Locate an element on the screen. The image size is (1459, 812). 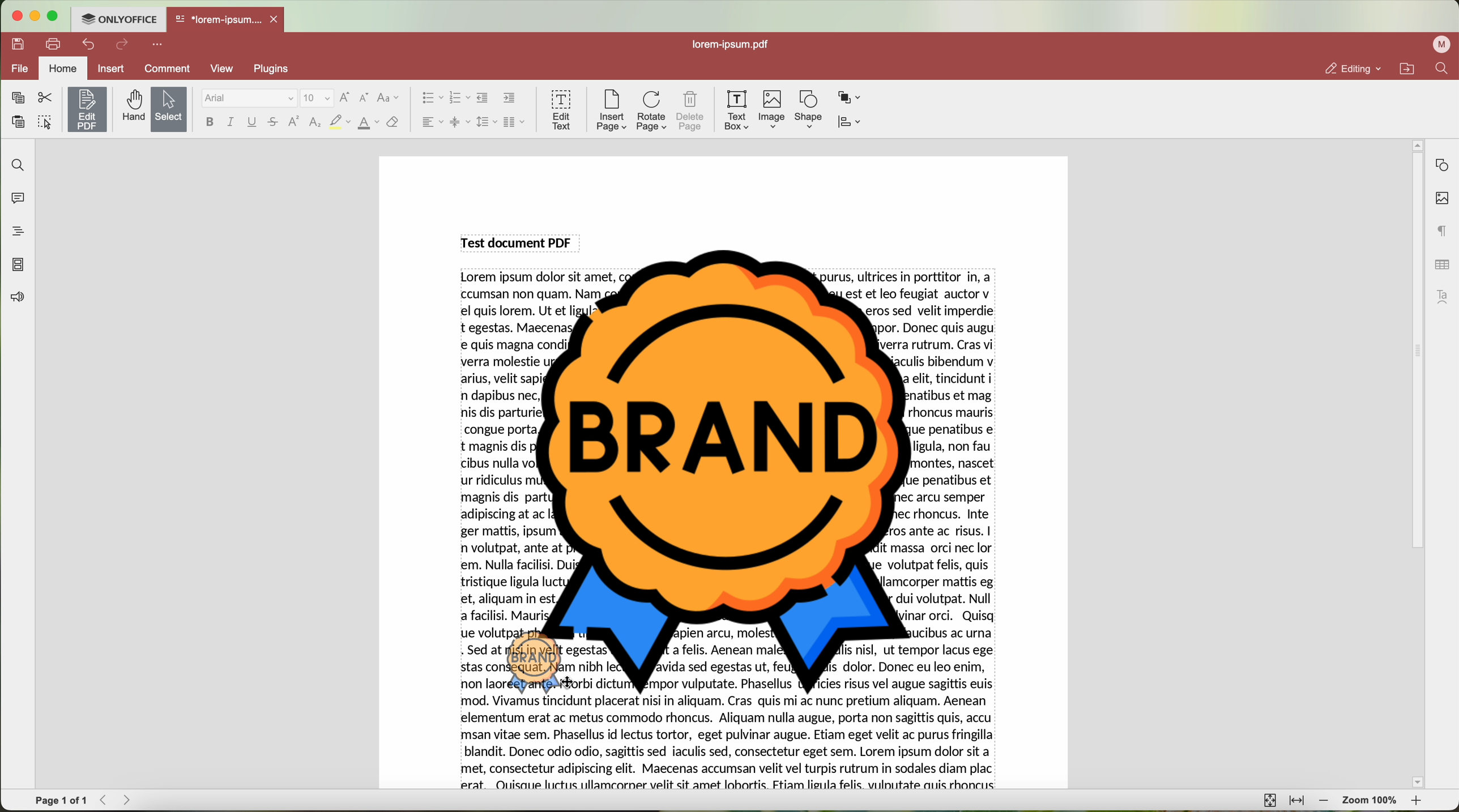
undo is located at coordinates (90, 44).